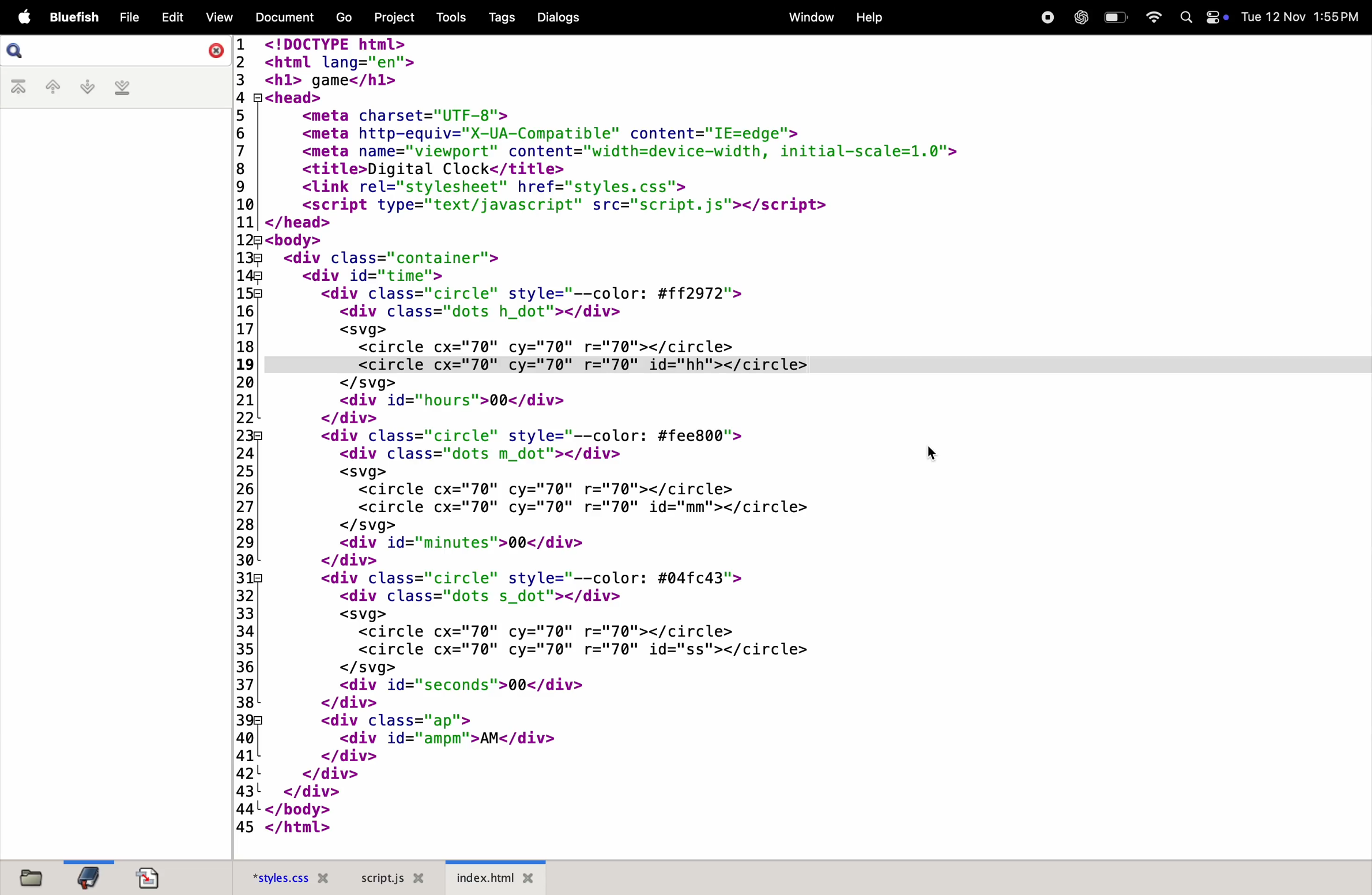 Image resolution: width=1372 pixels, height=895 pixels. I want to click on chatgpt, so click(1078, 17).